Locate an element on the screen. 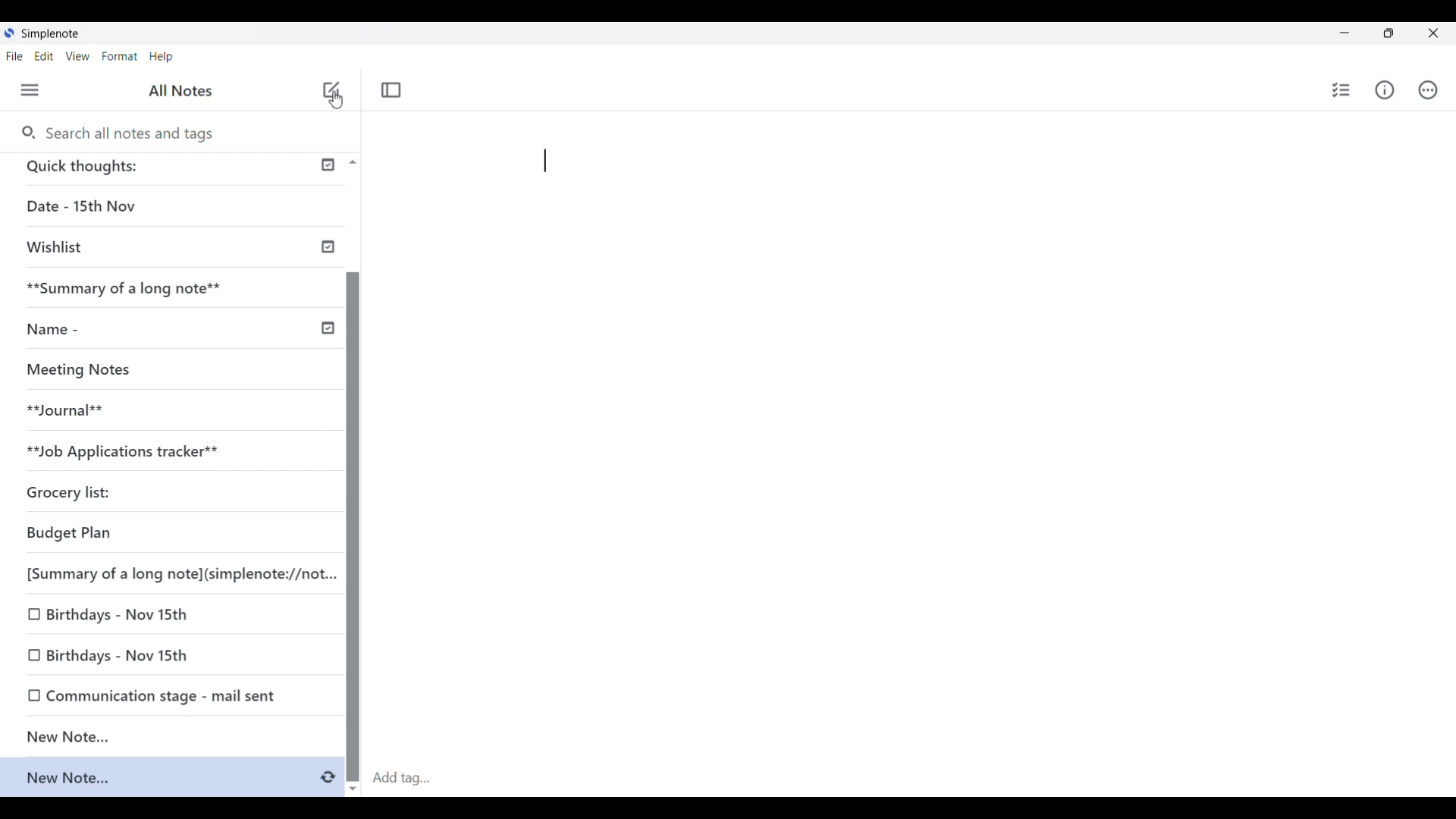  Actions is located at coordinates (1428, 89).